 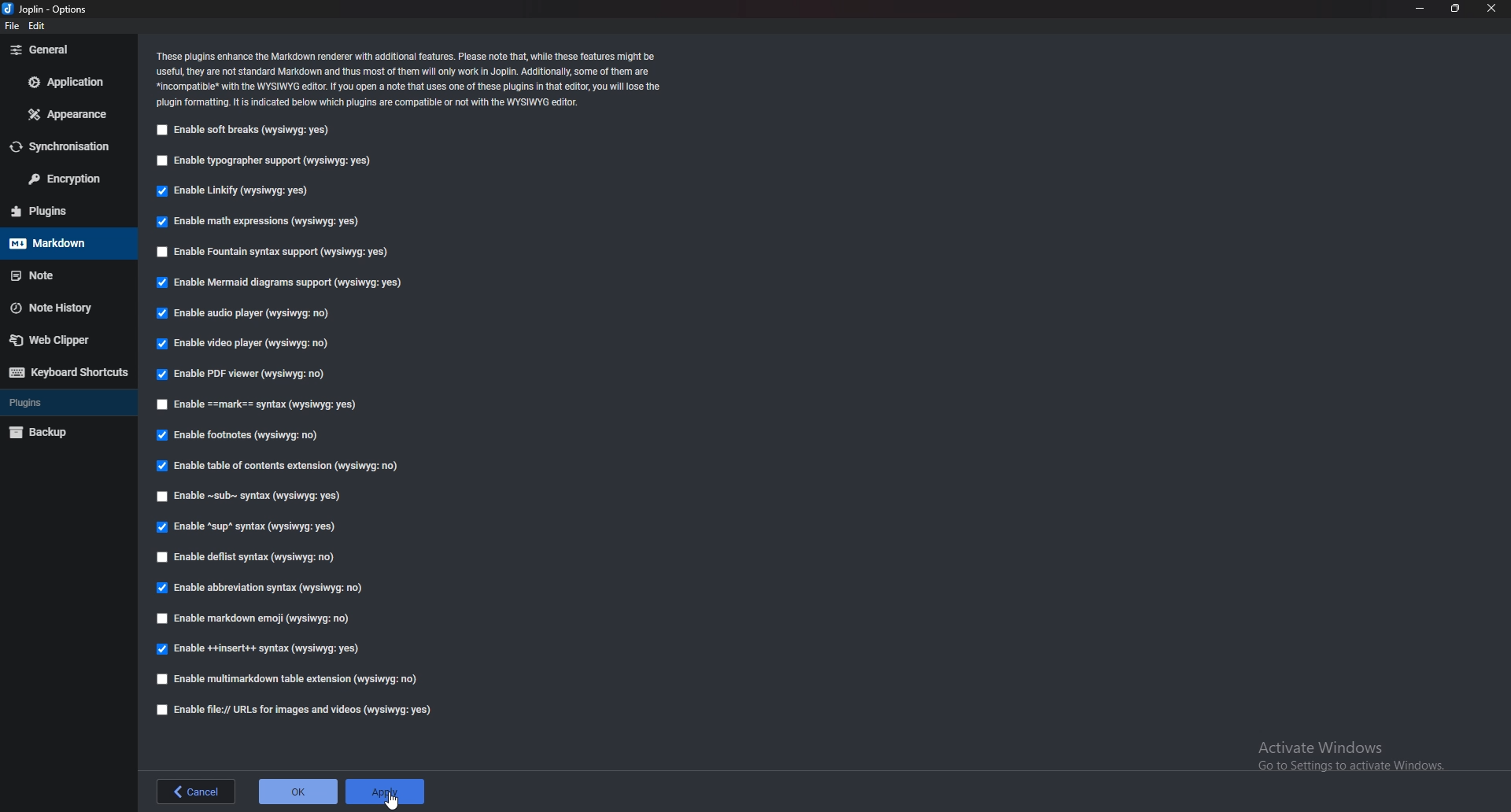 What do you see at coordinates (289, 709) in the screenshot?
I see `Enable file urls for images and videos` at bounding box center [289, 709].